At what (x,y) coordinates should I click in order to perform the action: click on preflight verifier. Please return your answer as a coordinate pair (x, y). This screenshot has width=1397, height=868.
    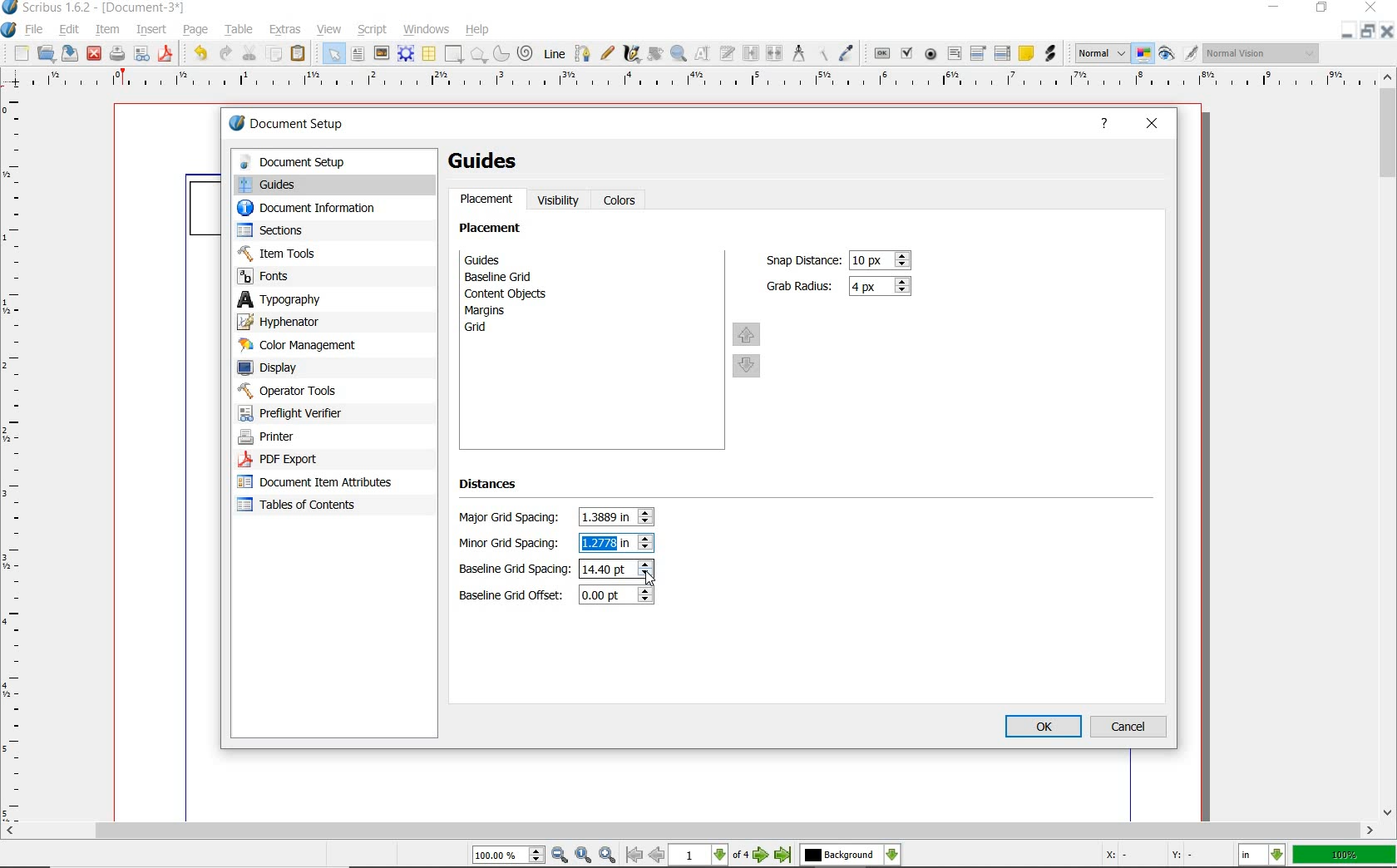
    Looking at the image, I should click on (142, 55).